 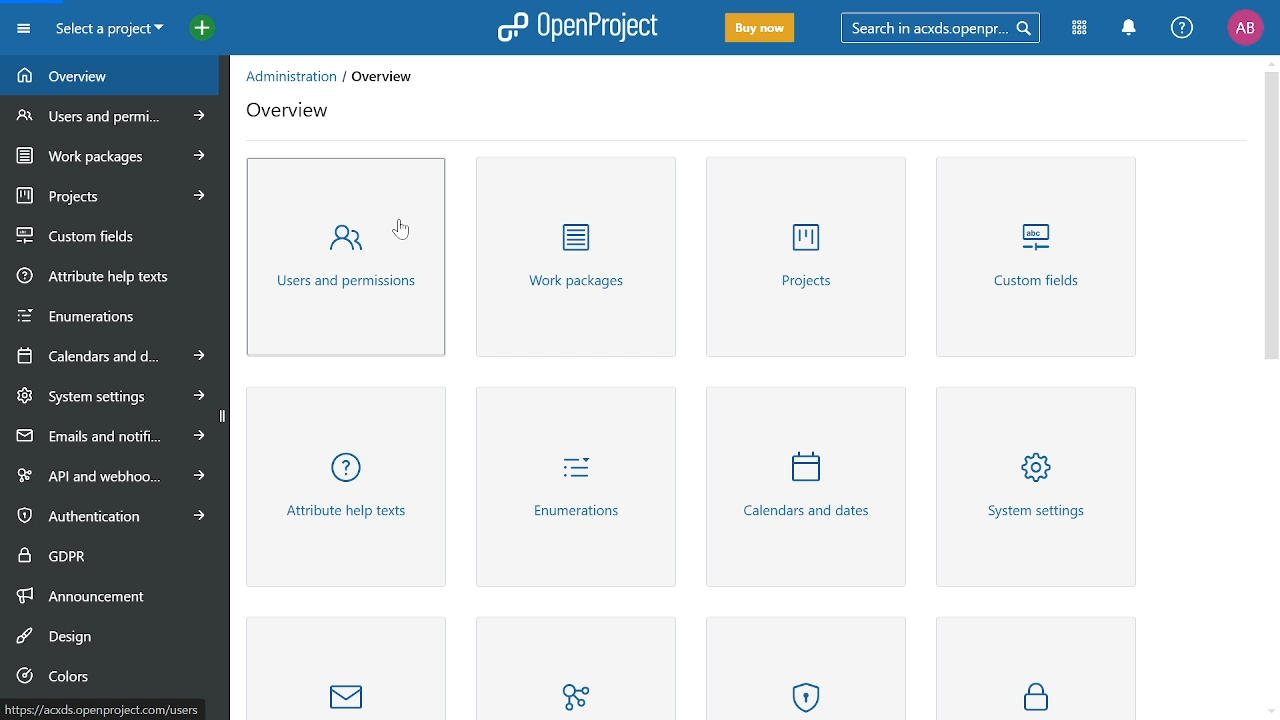 I want to click on Calenders and date, so click(x=114, y=361).